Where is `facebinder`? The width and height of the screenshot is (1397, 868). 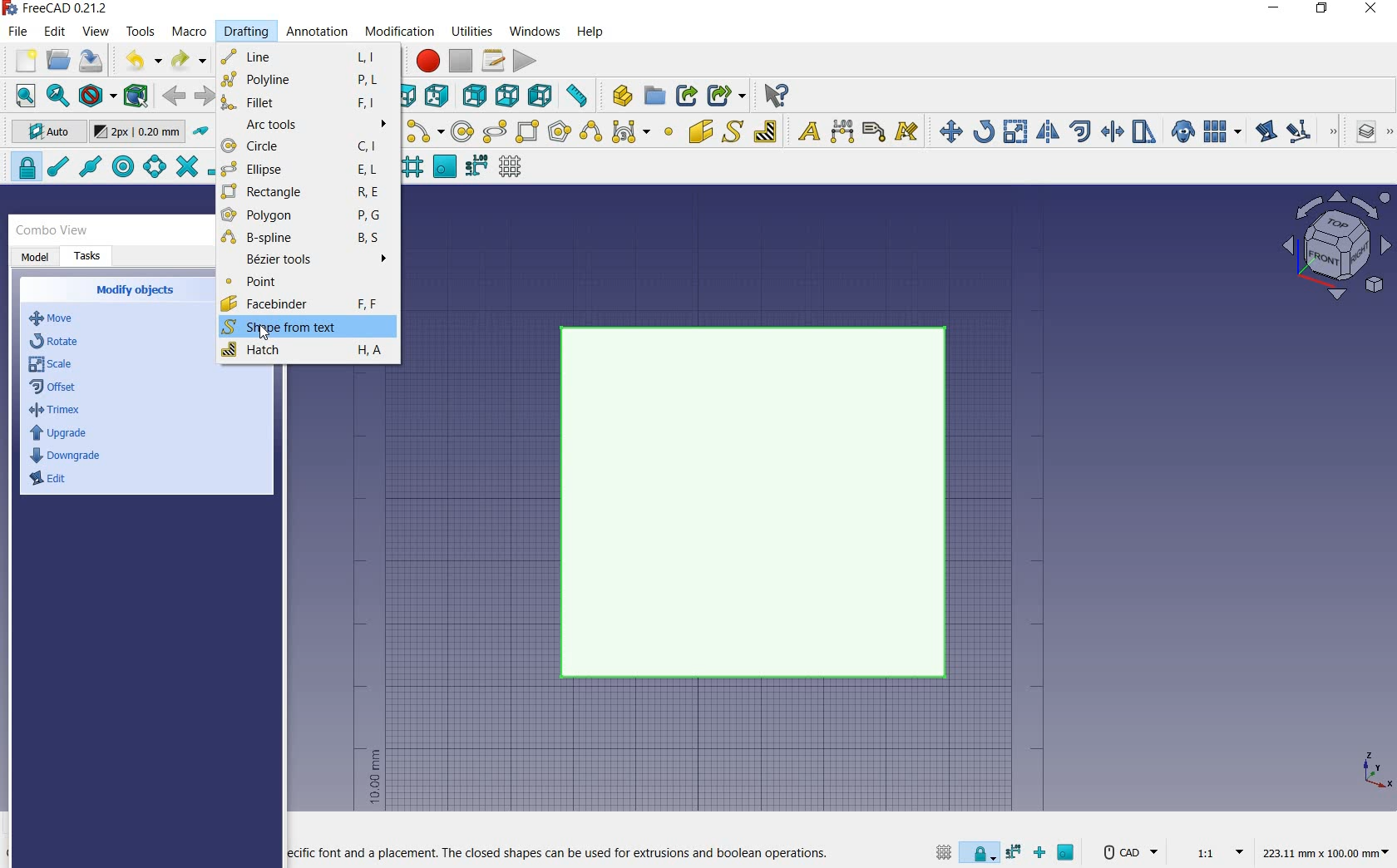 facebinder is located at coordinates (700, 135).